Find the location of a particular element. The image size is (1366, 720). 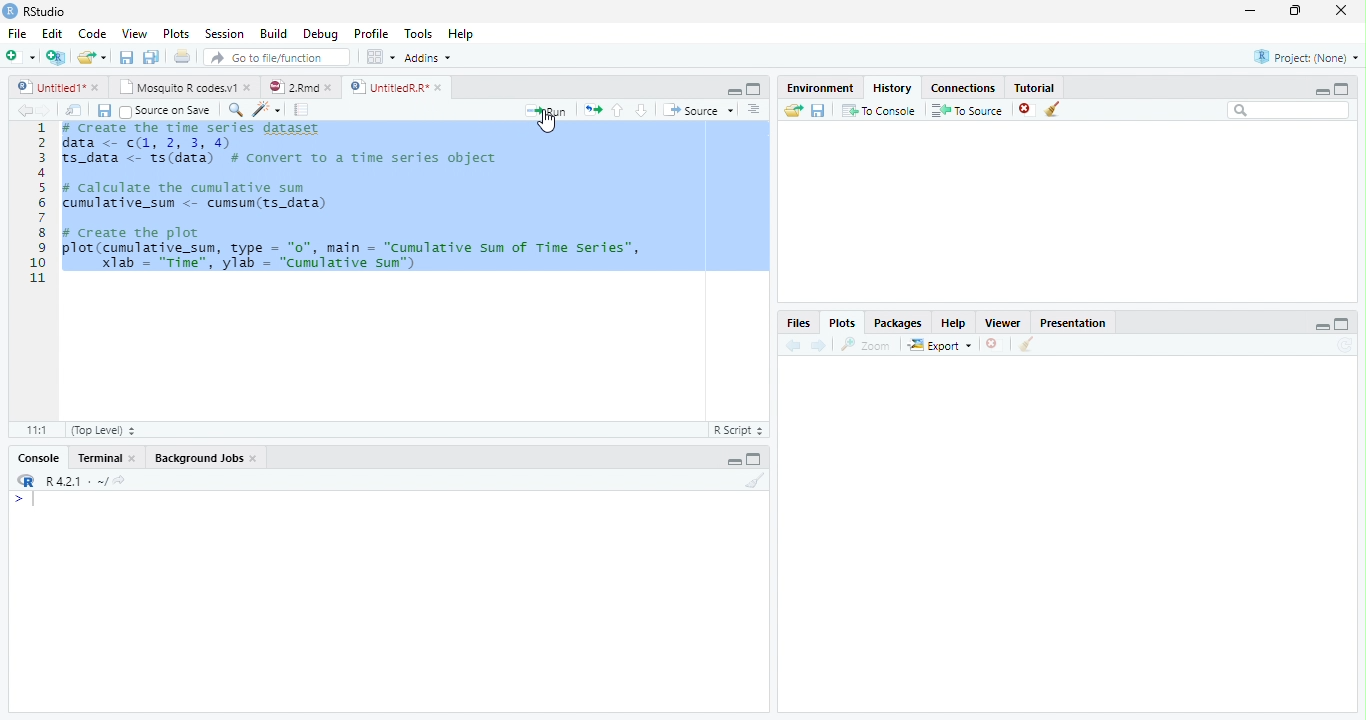

Plots is located at coordinates (177, 34).